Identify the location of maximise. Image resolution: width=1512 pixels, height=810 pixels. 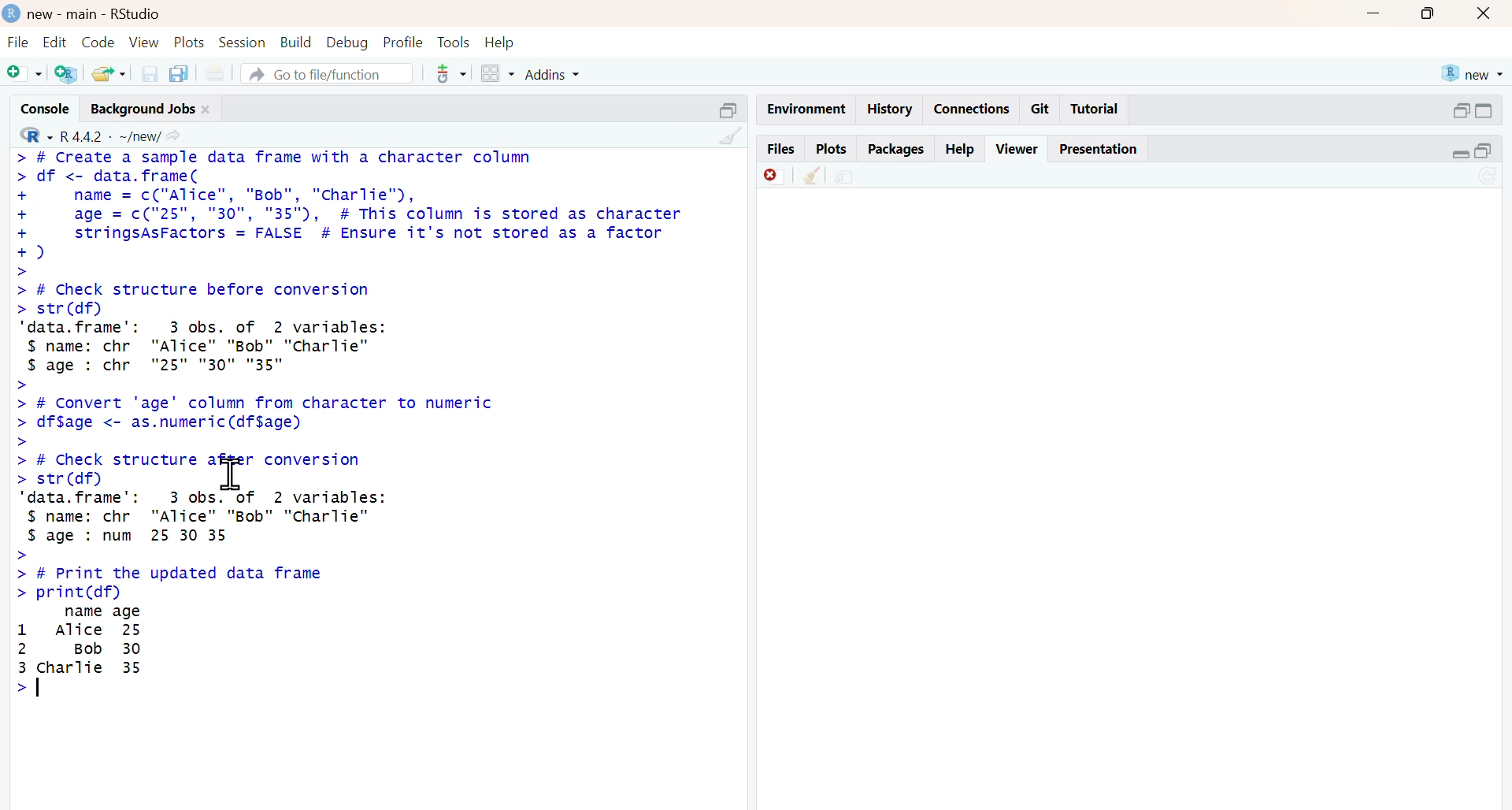
(1427, 13).